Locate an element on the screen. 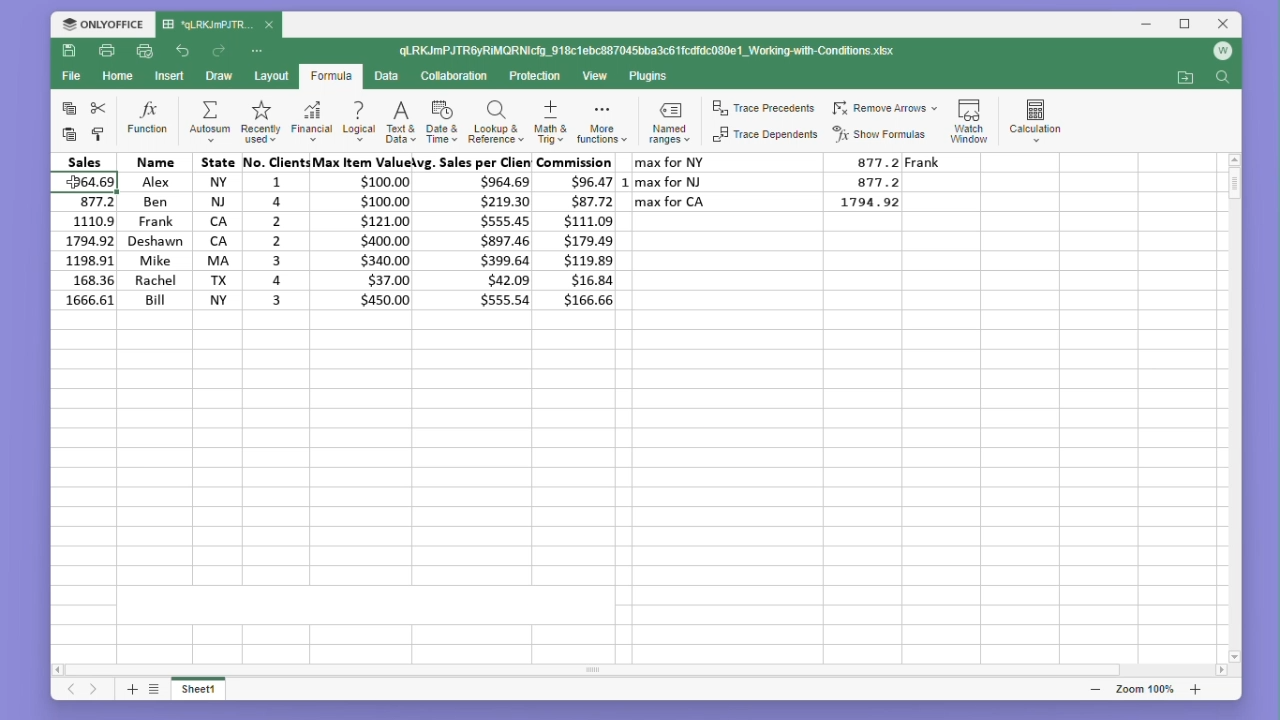  More functions is located at coordinates (604, 120).